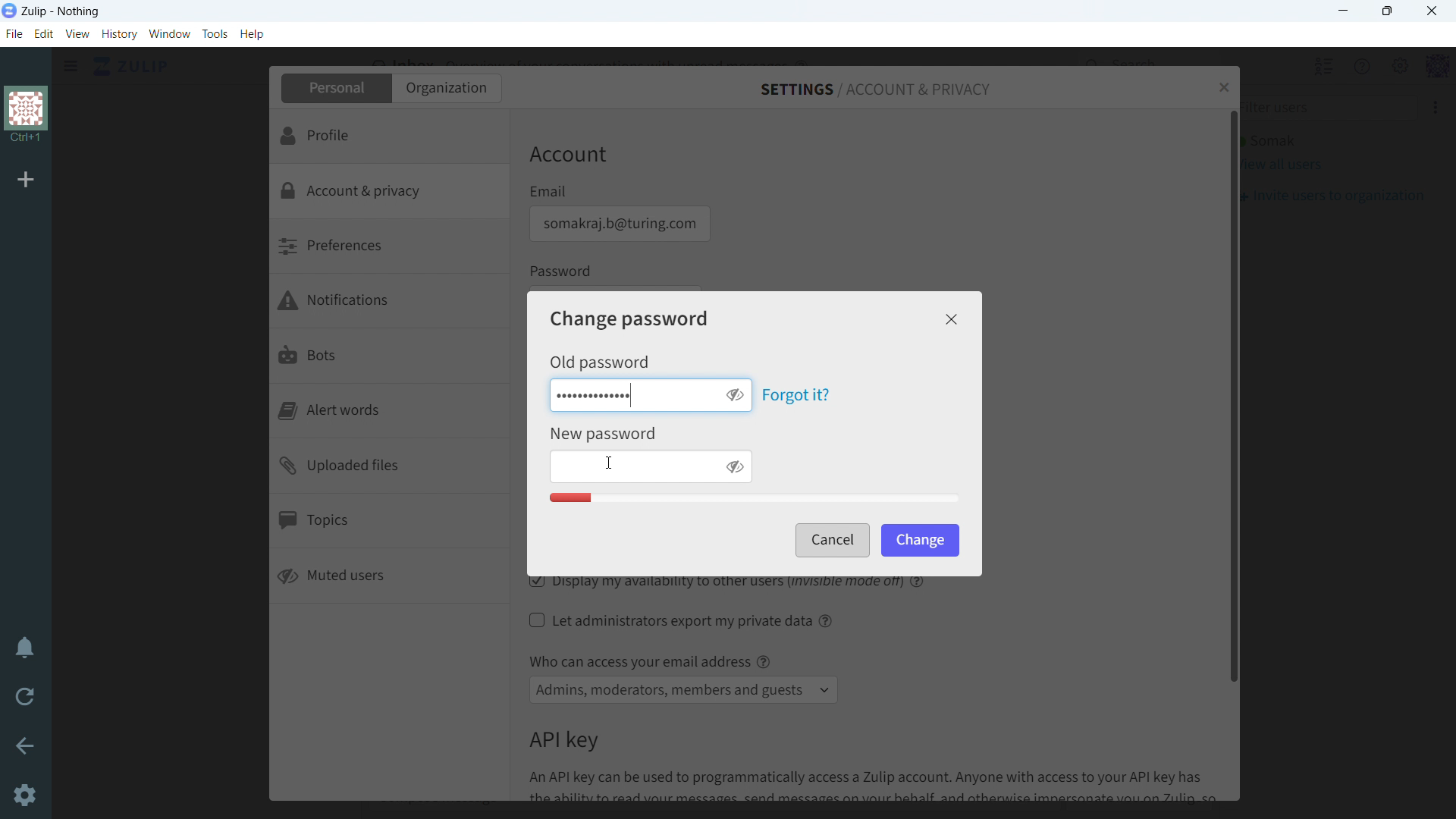  Describe the element at coordinates (334, 88) in the screenshot. I see `personal` at that location.